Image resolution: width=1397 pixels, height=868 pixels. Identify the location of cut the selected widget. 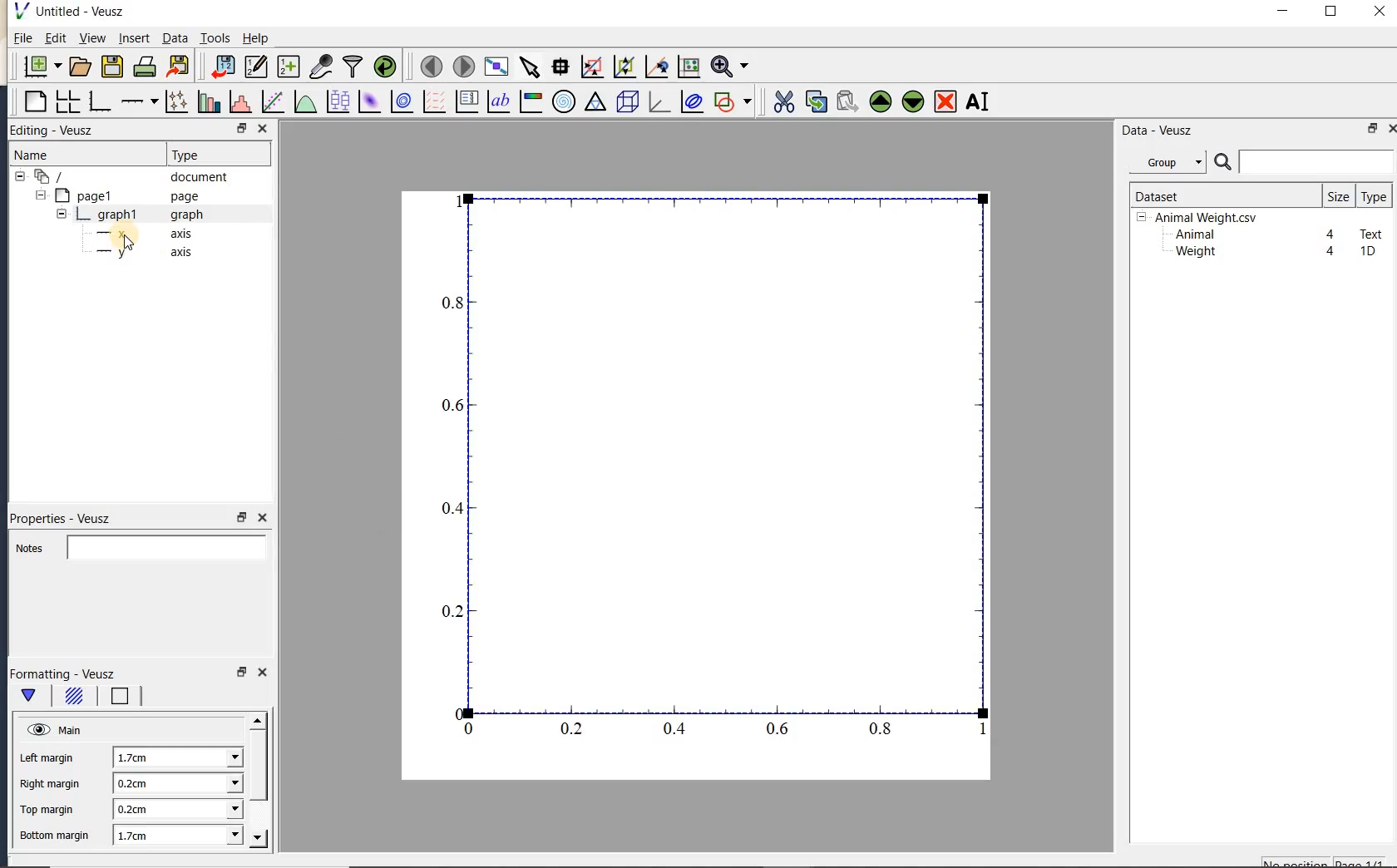
(782, 102).